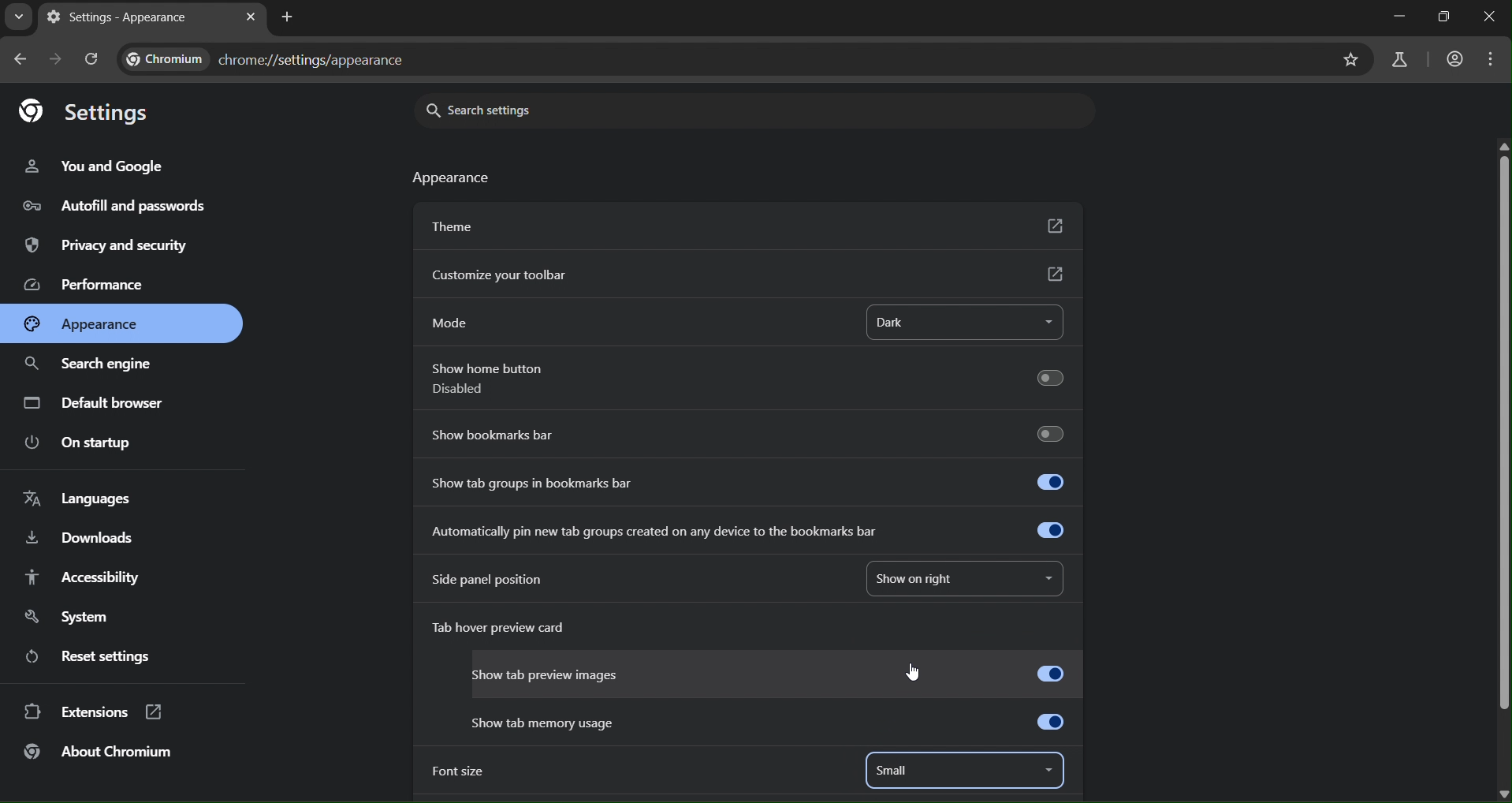 Image resolution: width=1512 pixels, height=803 pixels. I want to click on show tab memory usage, so click(775, 719).